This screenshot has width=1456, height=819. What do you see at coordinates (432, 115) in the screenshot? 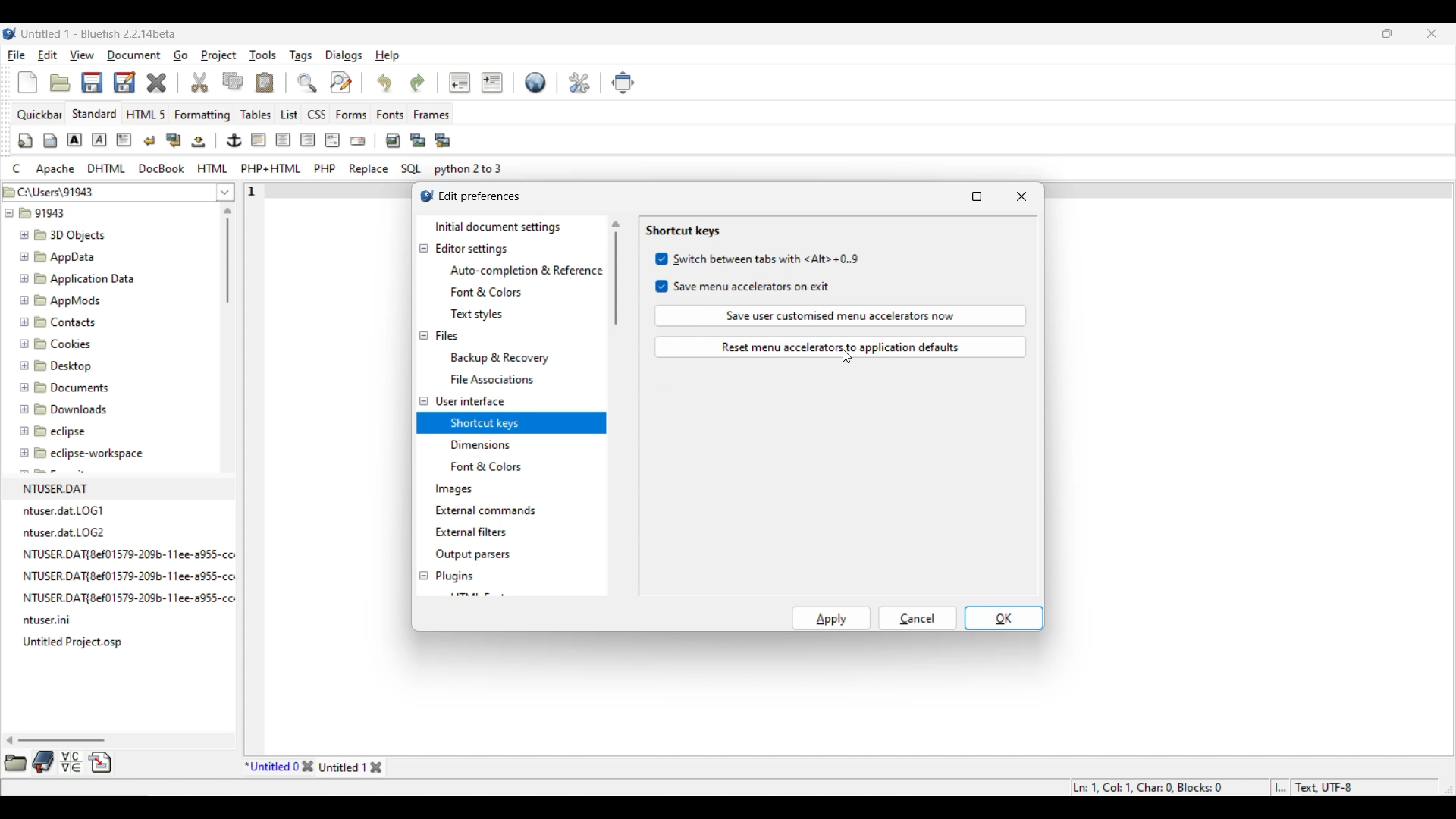
I see `Frames` at bounding box center [432, 115].